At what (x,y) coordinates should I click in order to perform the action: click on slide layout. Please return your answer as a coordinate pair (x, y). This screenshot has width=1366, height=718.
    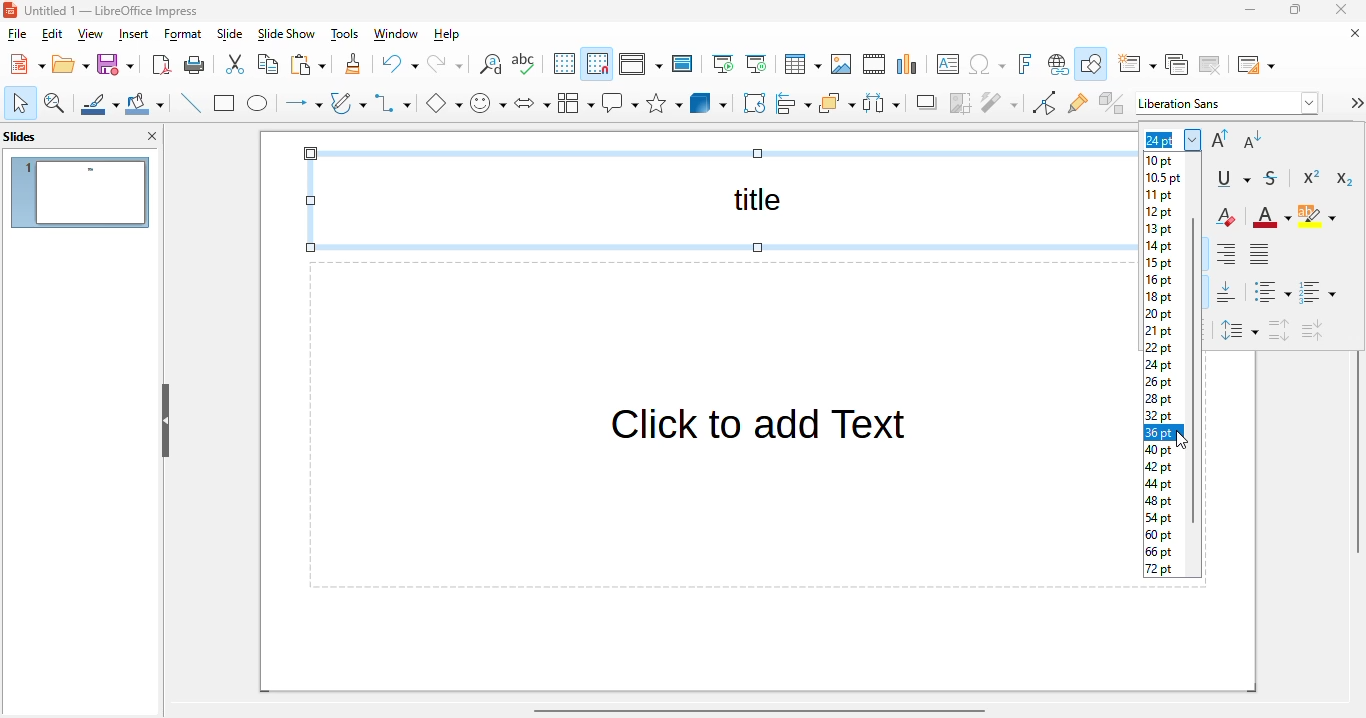
    Looking at the image, I should click on (1256, 65).